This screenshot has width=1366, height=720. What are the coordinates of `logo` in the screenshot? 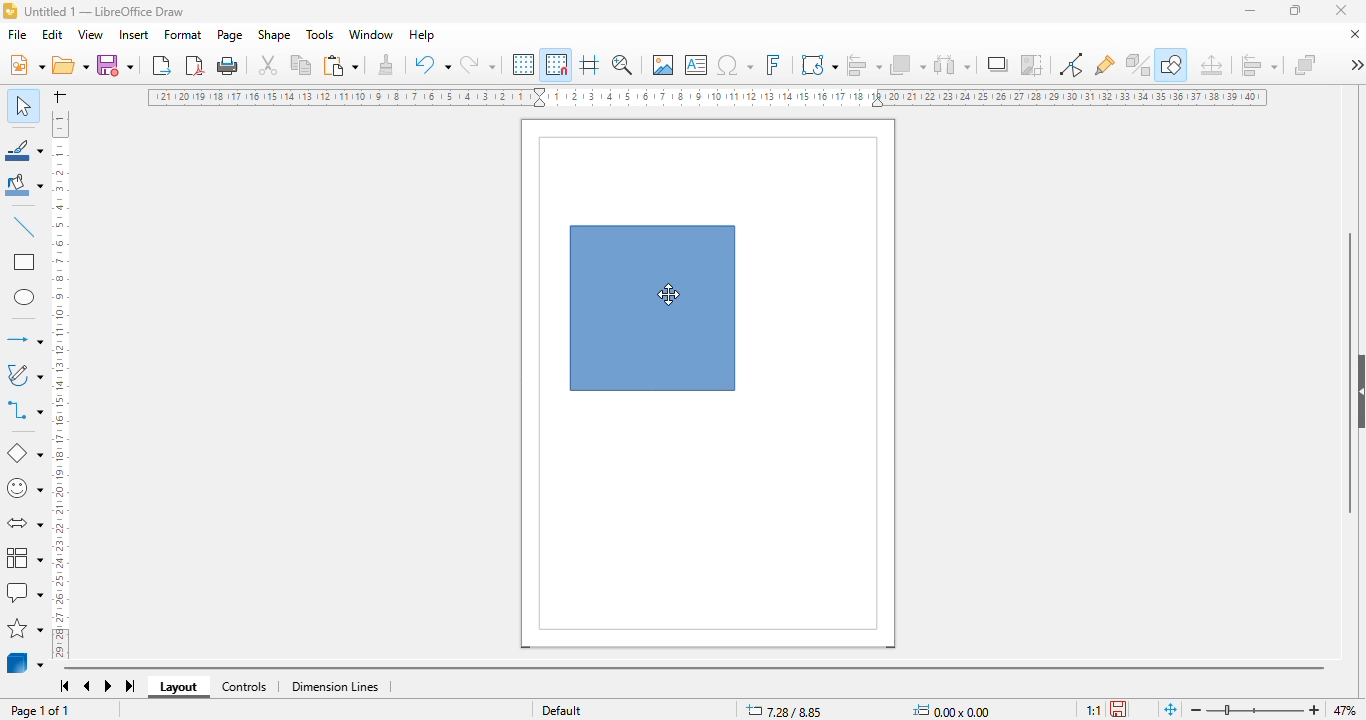 It's located at (10, 11).